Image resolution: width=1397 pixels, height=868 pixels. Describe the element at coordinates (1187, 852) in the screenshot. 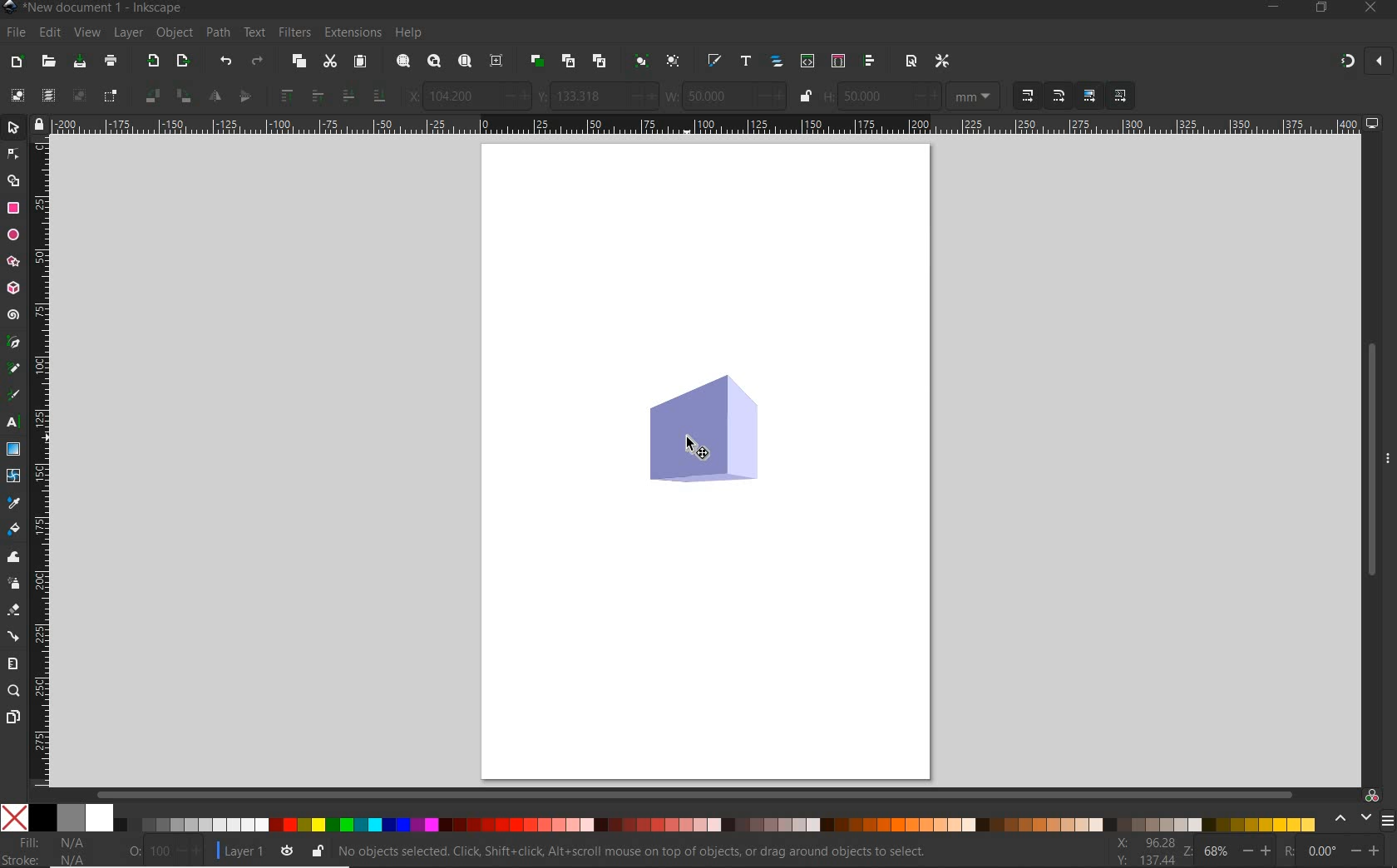

I see `zoom` at that location.